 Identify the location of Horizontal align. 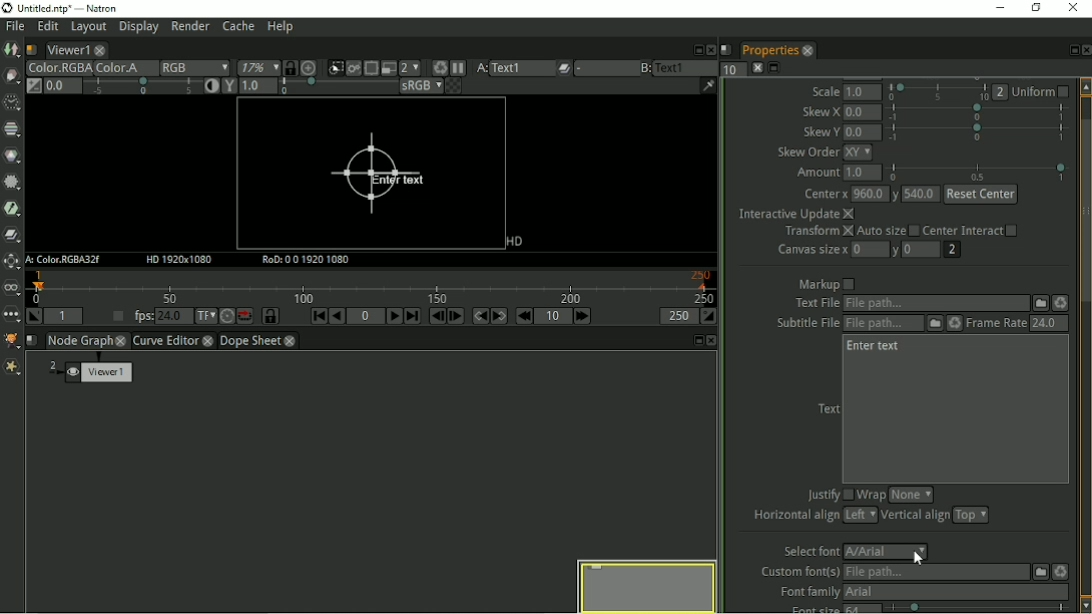
(795, 518).